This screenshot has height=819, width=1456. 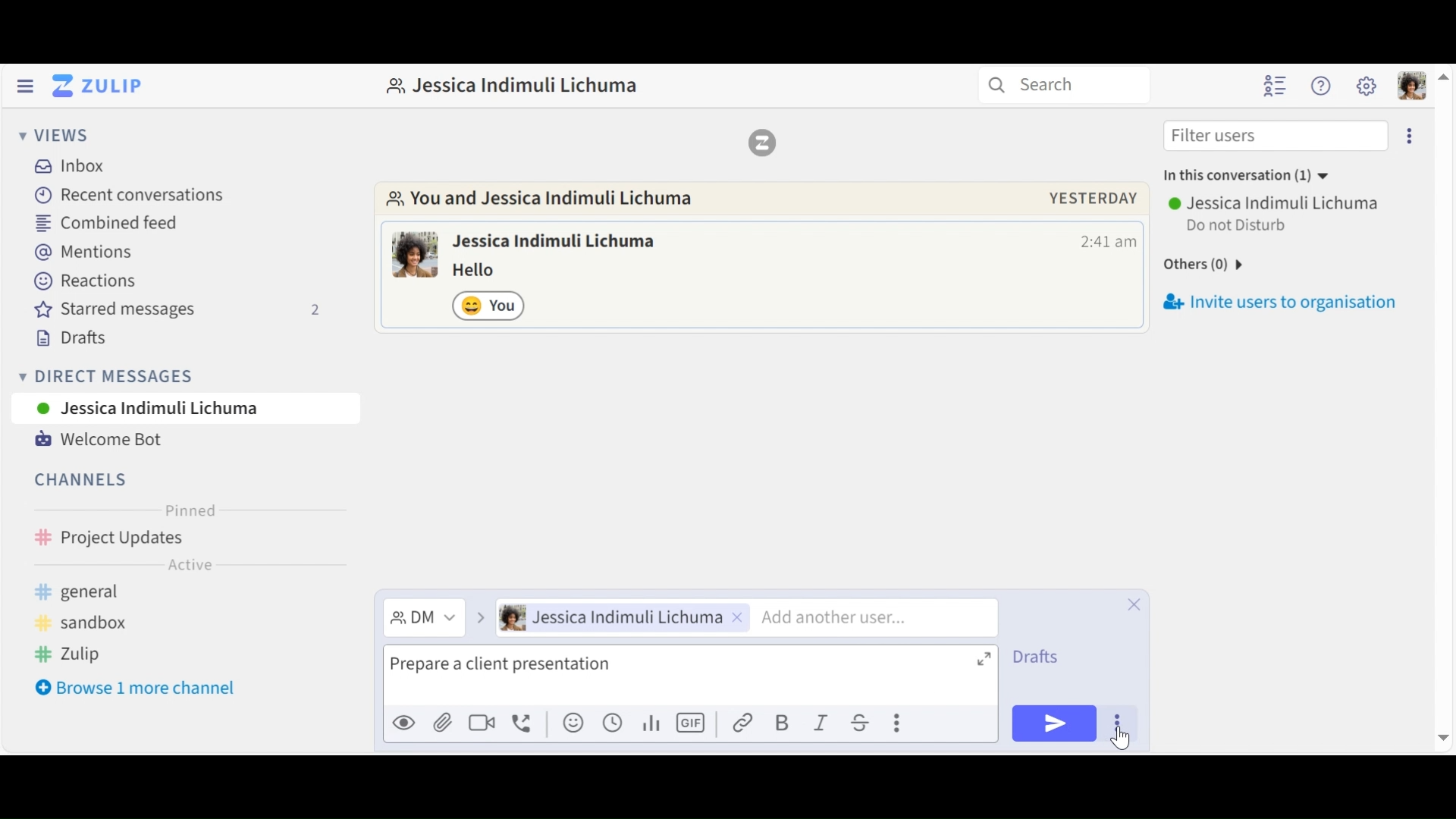 I want to click on Time message sent, so click(x=1108, y=242).